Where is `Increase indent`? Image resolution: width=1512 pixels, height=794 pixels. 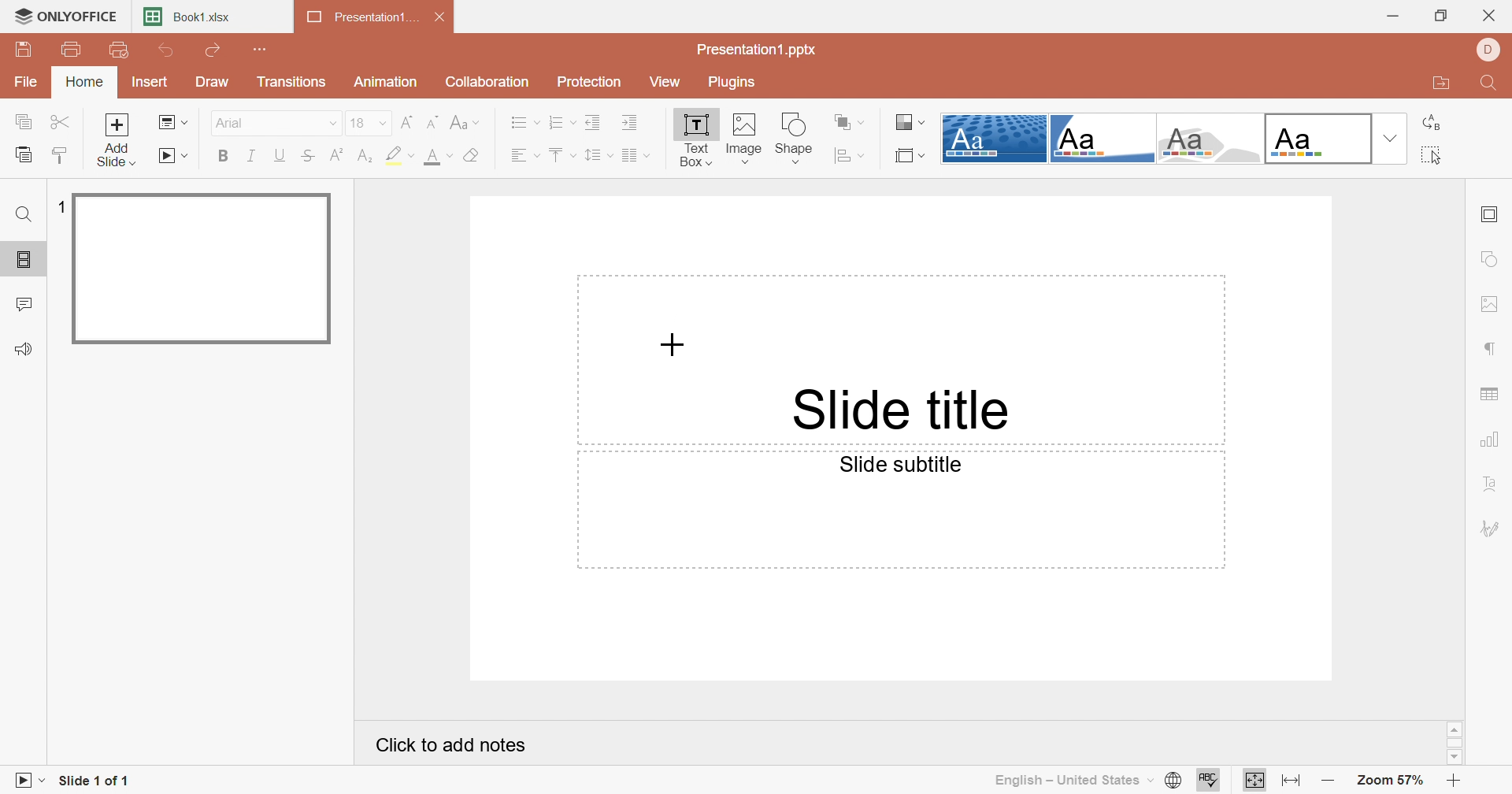
Increase indent is located at coordinates (631, 124).